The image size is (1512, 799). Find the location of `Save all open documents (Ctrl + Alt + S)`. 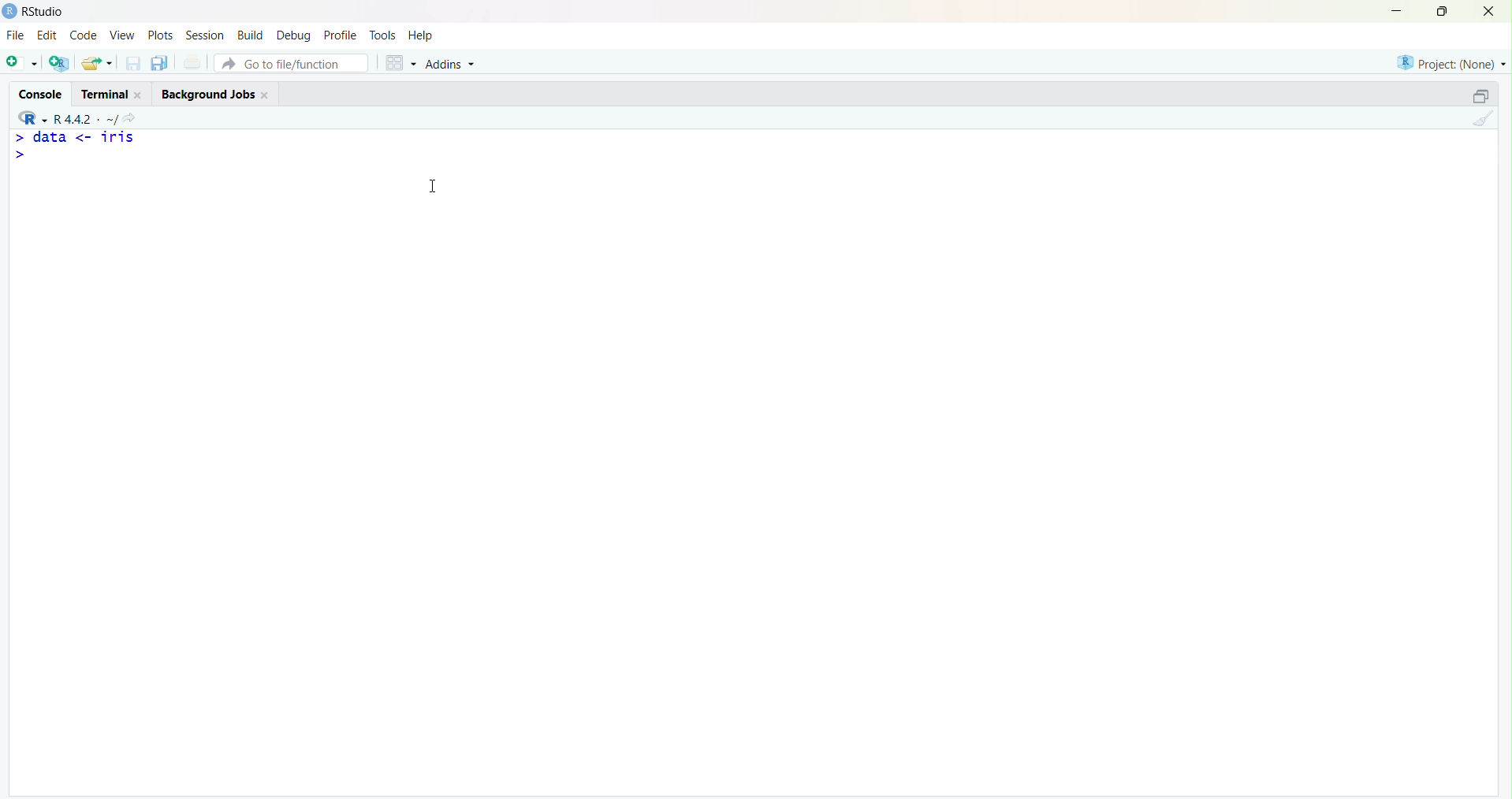

Save all open documents (Ctrl + Alt + S) is located at coordinates (158, 61).